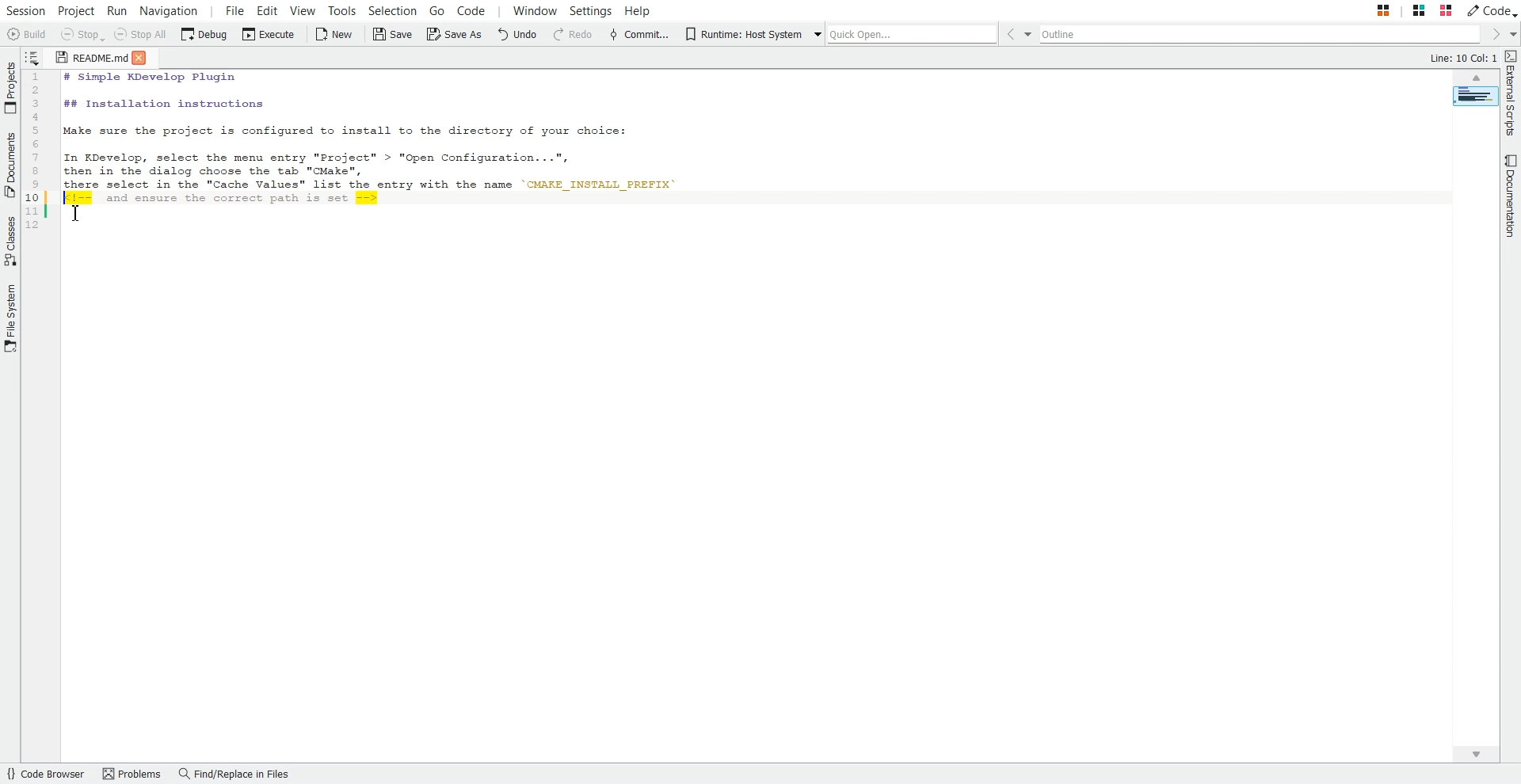  Describe the element at coordinates (1511, 93) in the screenshot. I see `External Scripts` at that location.